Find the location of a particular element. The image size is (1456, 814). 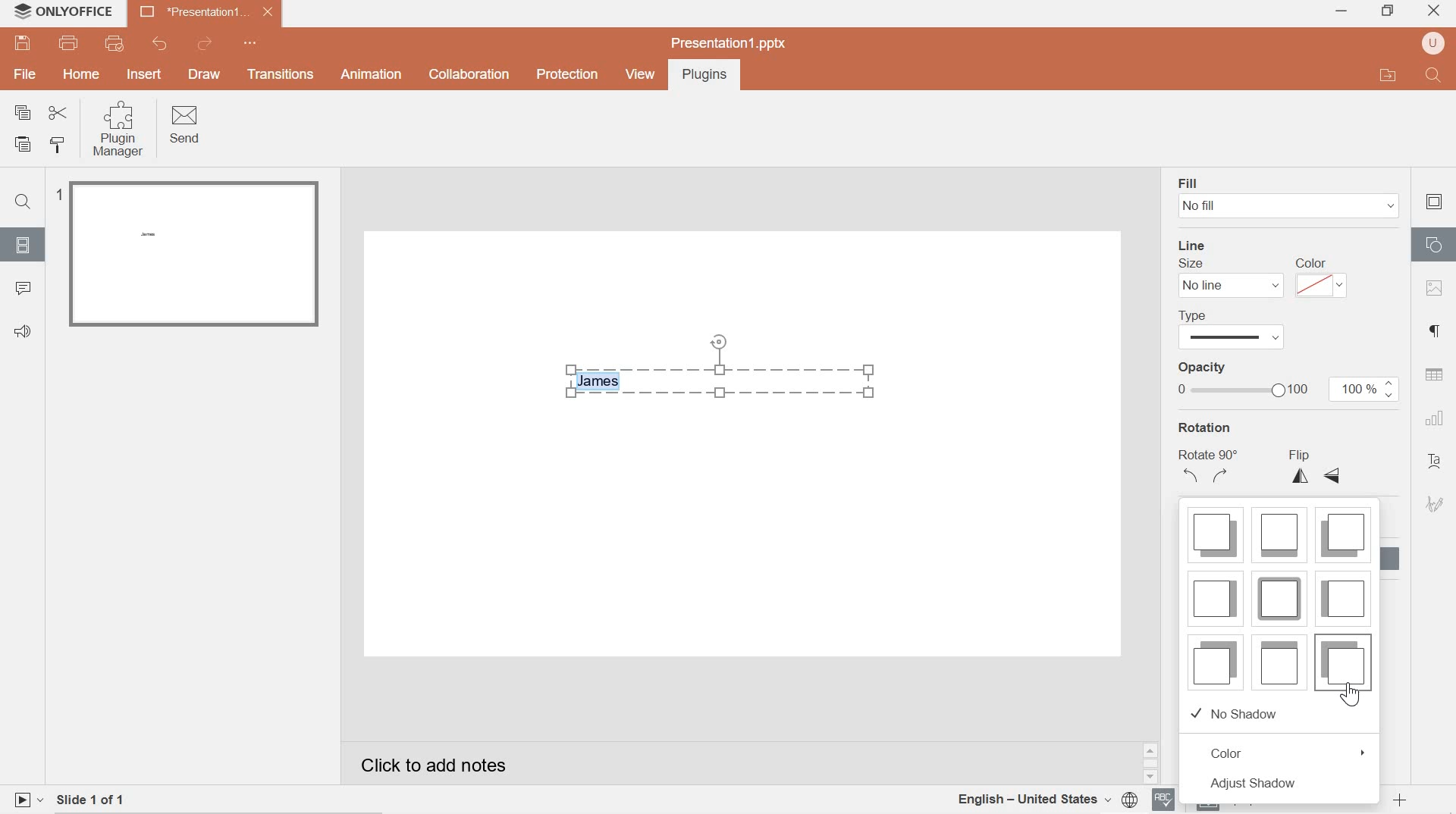

save is located at coordinates (24, 43).